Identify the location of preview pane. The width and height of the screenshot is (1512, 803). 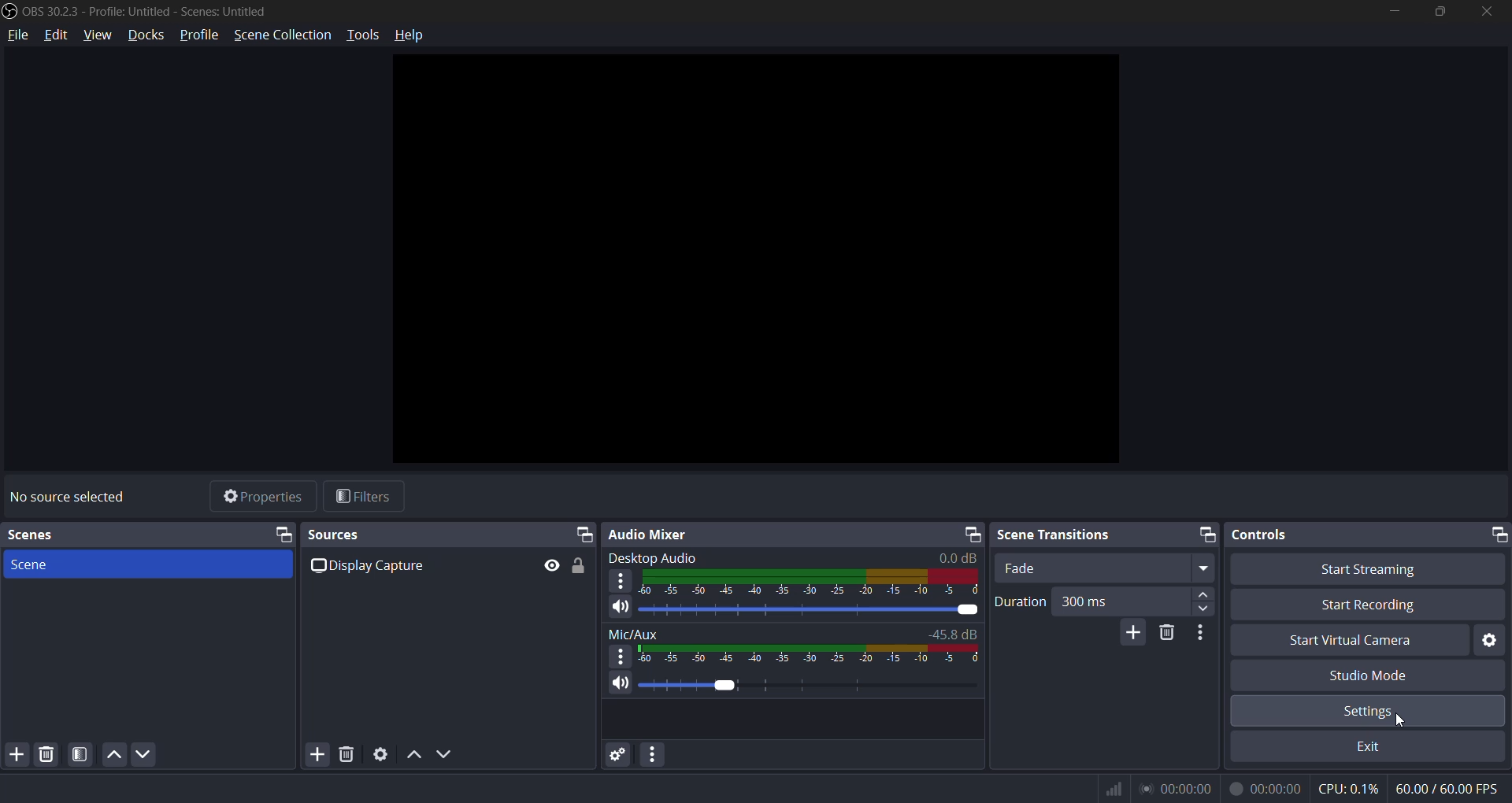
(759, 262).